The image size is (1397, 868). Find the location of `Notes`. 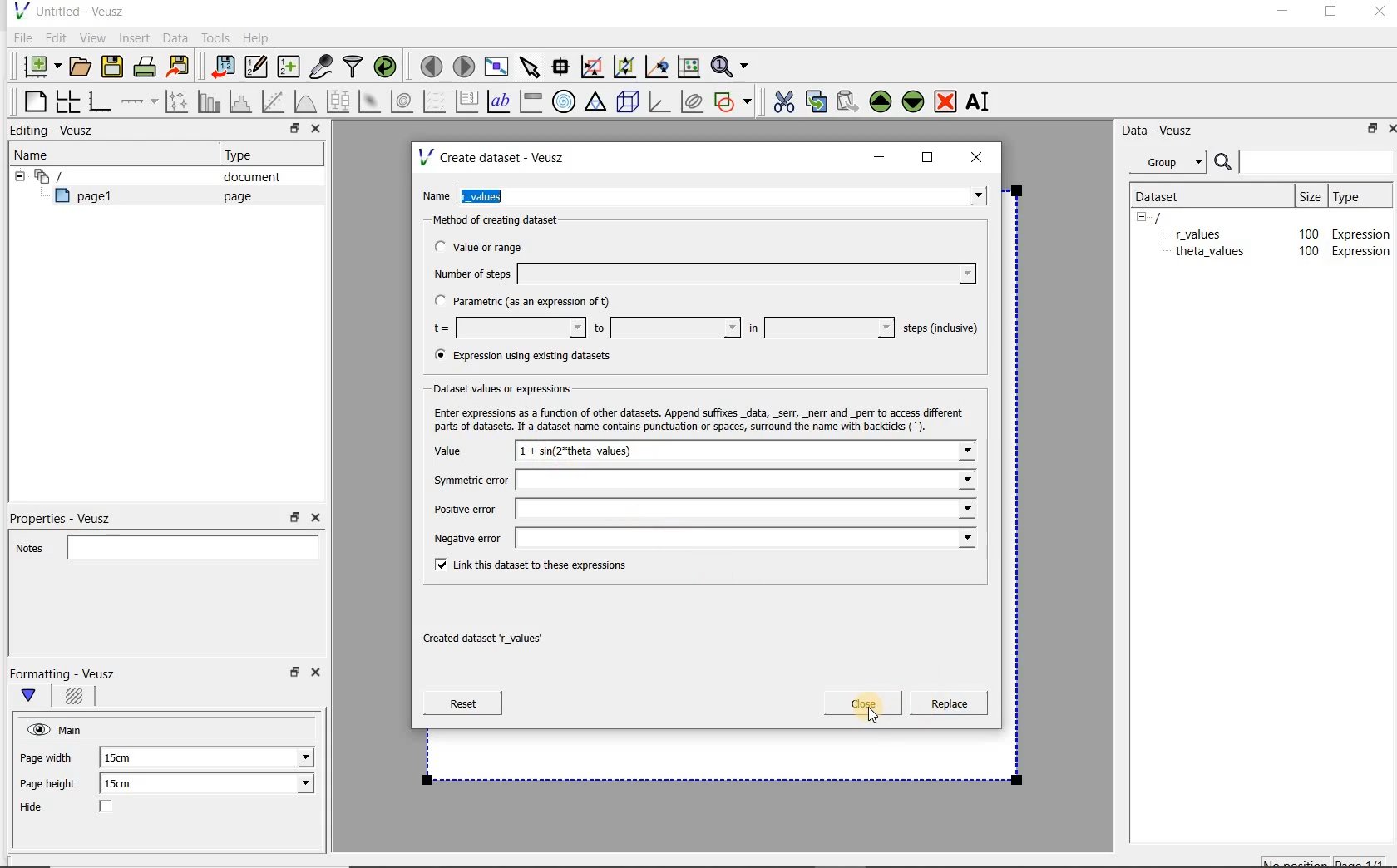

Notes is located at coordinates (162, 545).